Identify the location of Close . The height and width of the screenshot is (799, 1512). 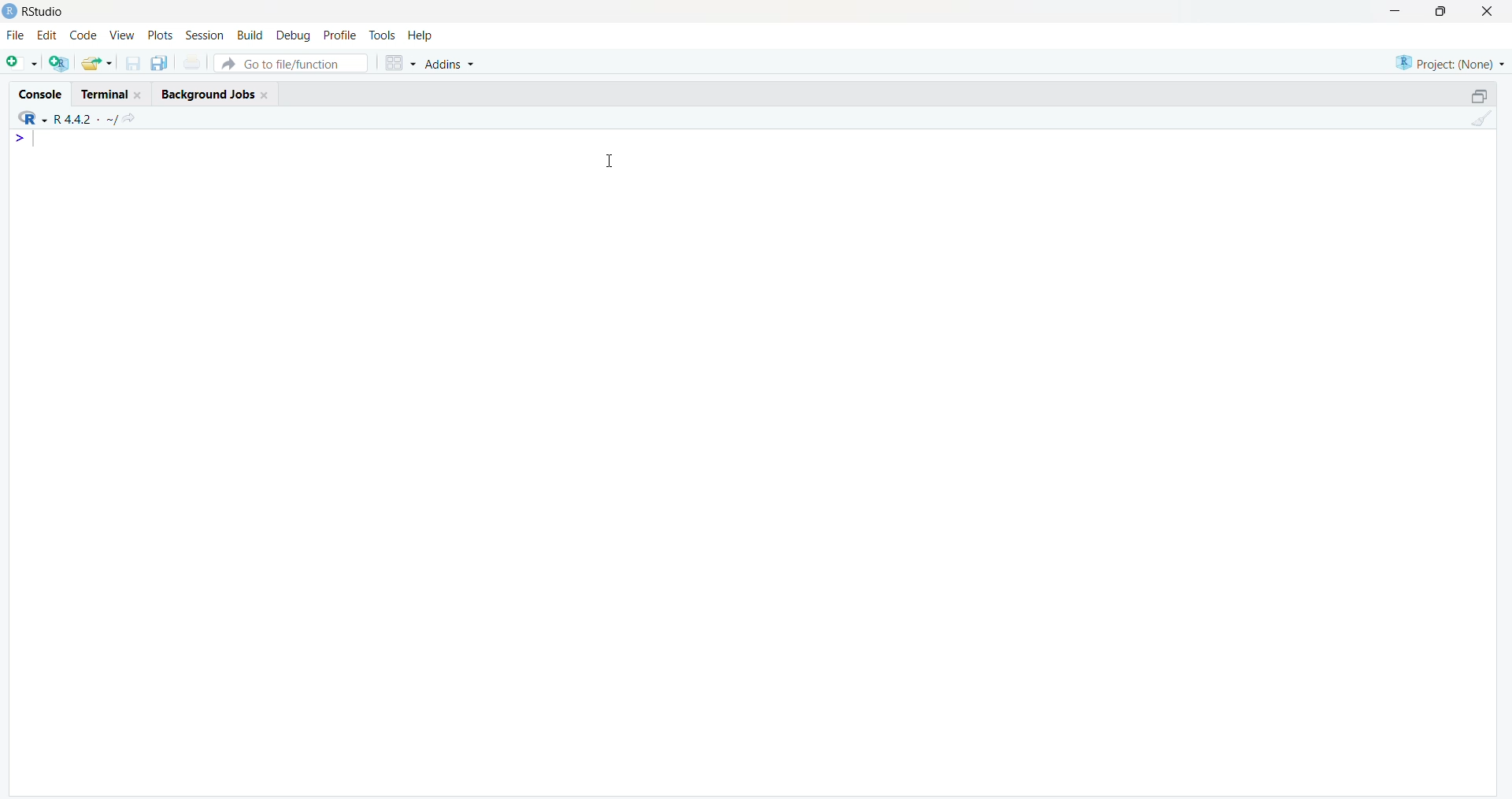
(266, 95).